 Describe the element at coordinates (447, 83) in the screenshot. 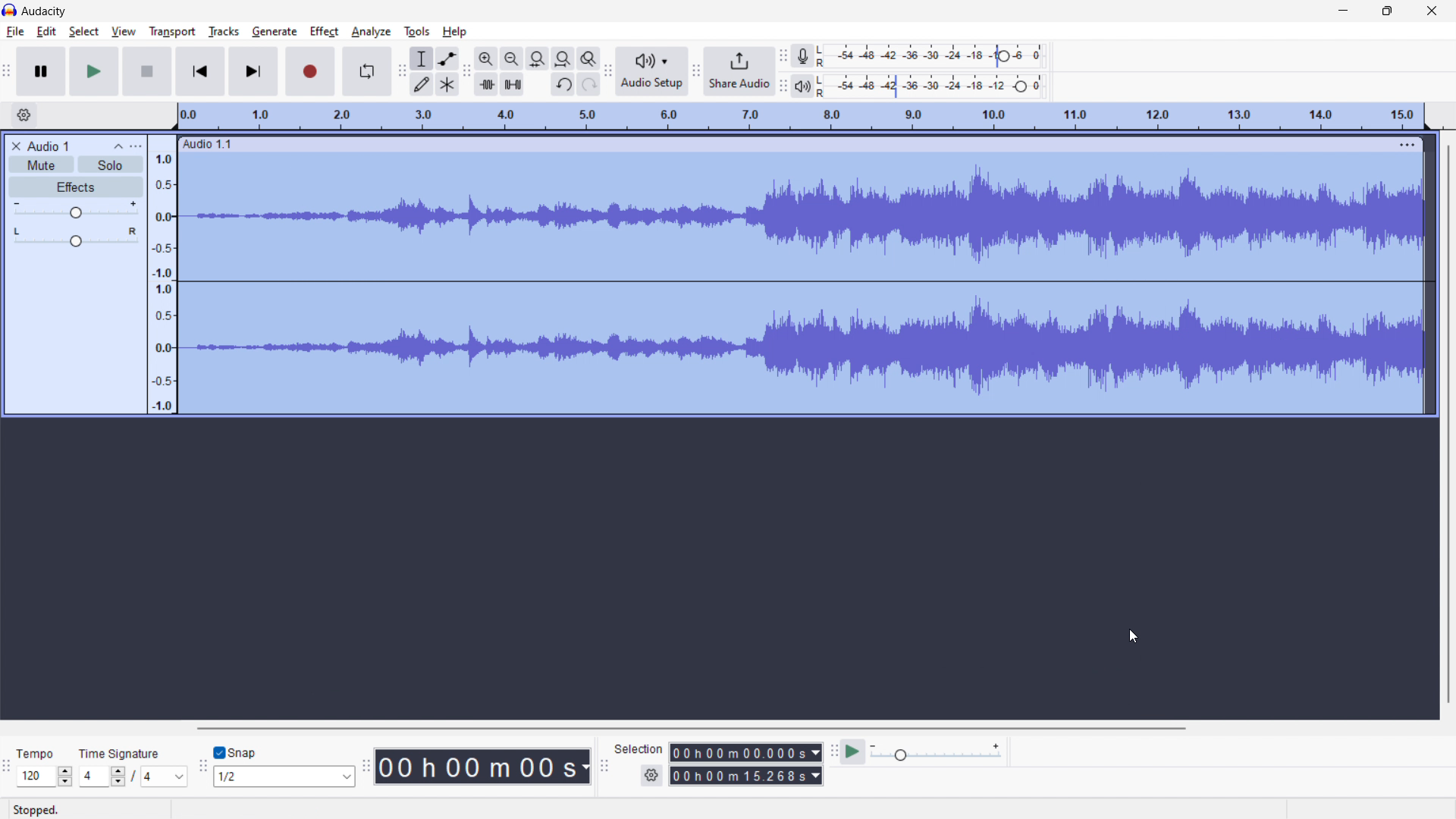

I see `multi tool` at that location.